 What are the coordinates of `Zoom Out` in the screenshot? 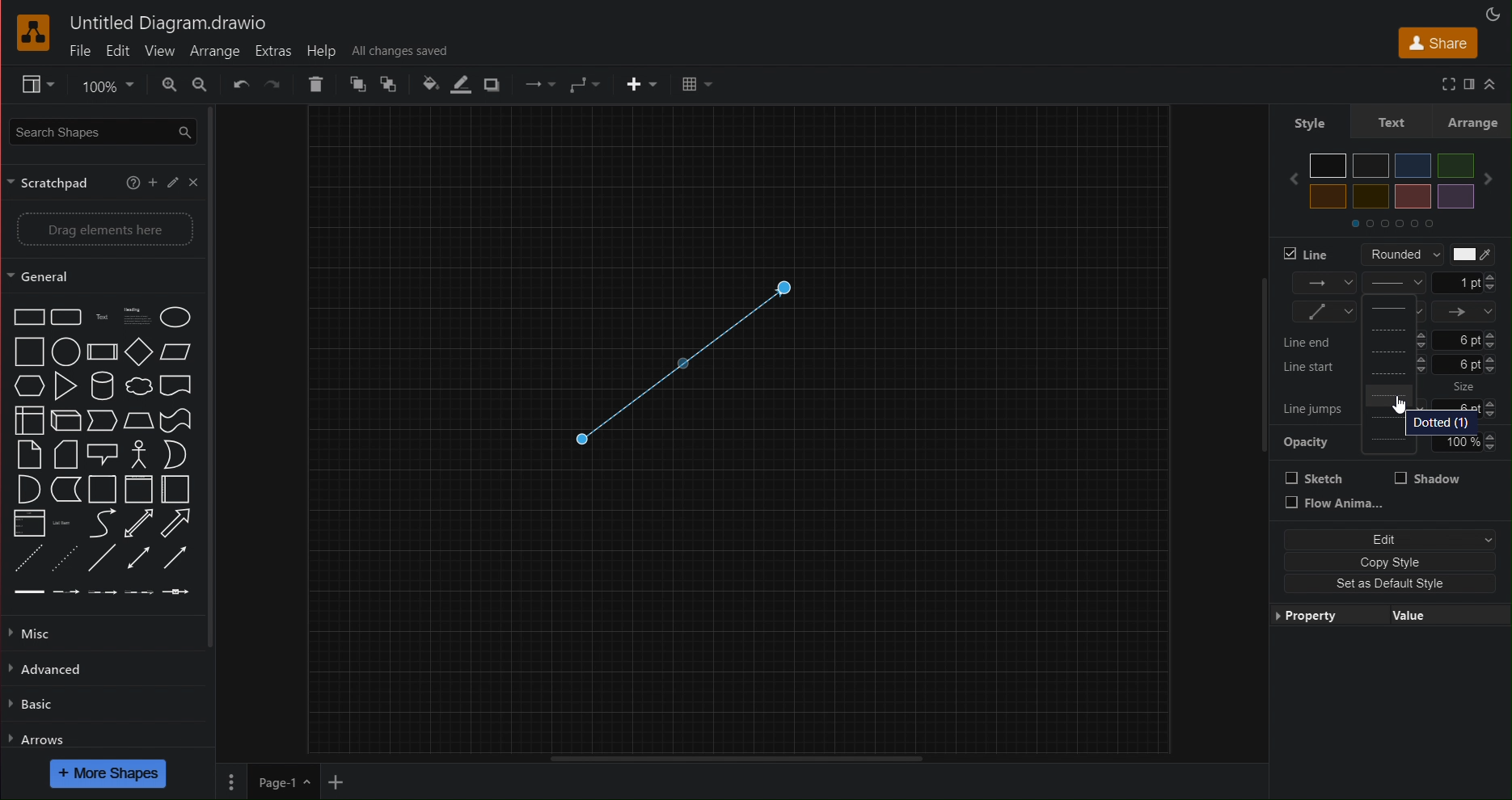 It's located at (201, 84).